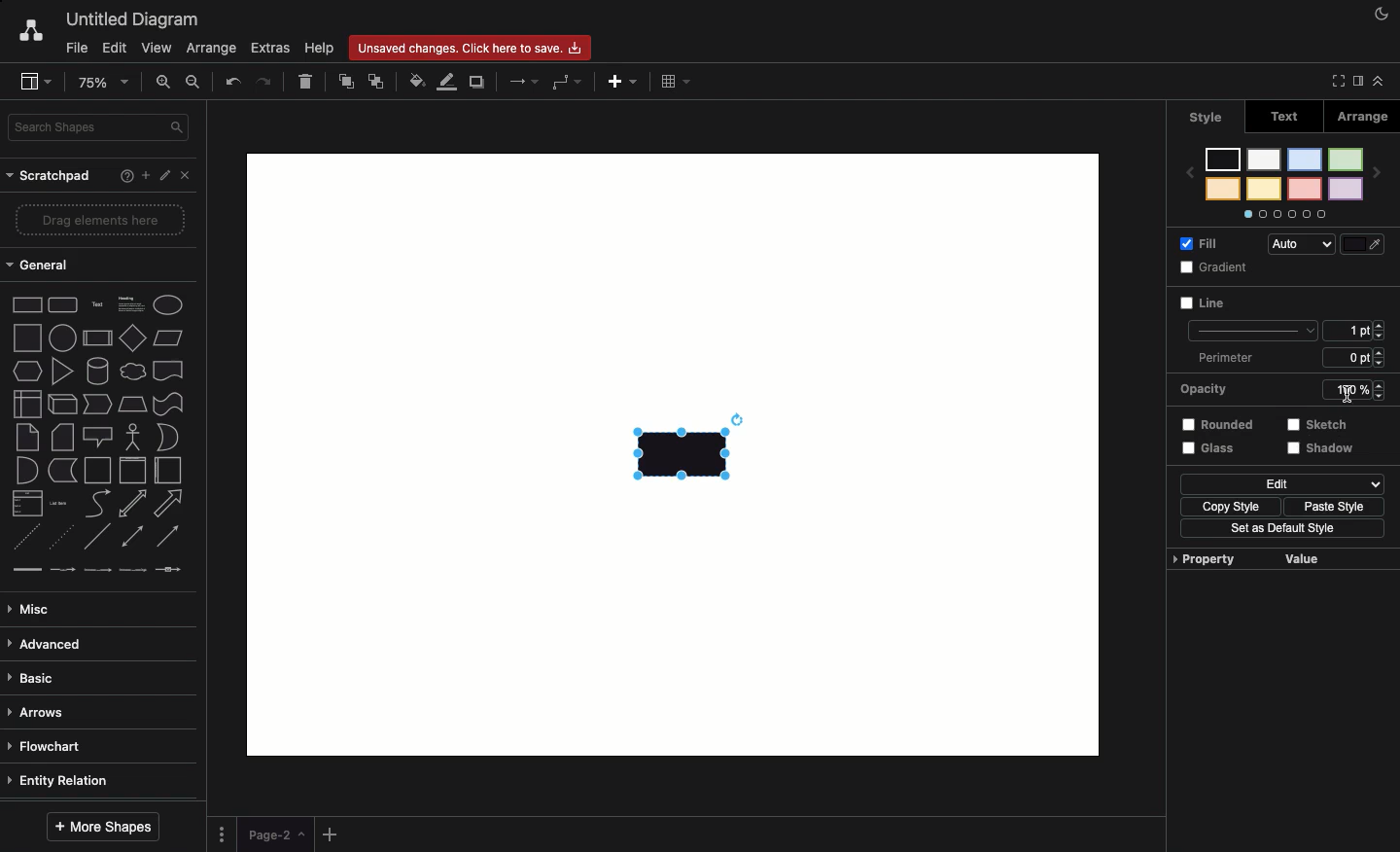  What do you see at coordinates (22, 536) in the screenshot?
I see `dashed line` at bounding box center [22, 536].